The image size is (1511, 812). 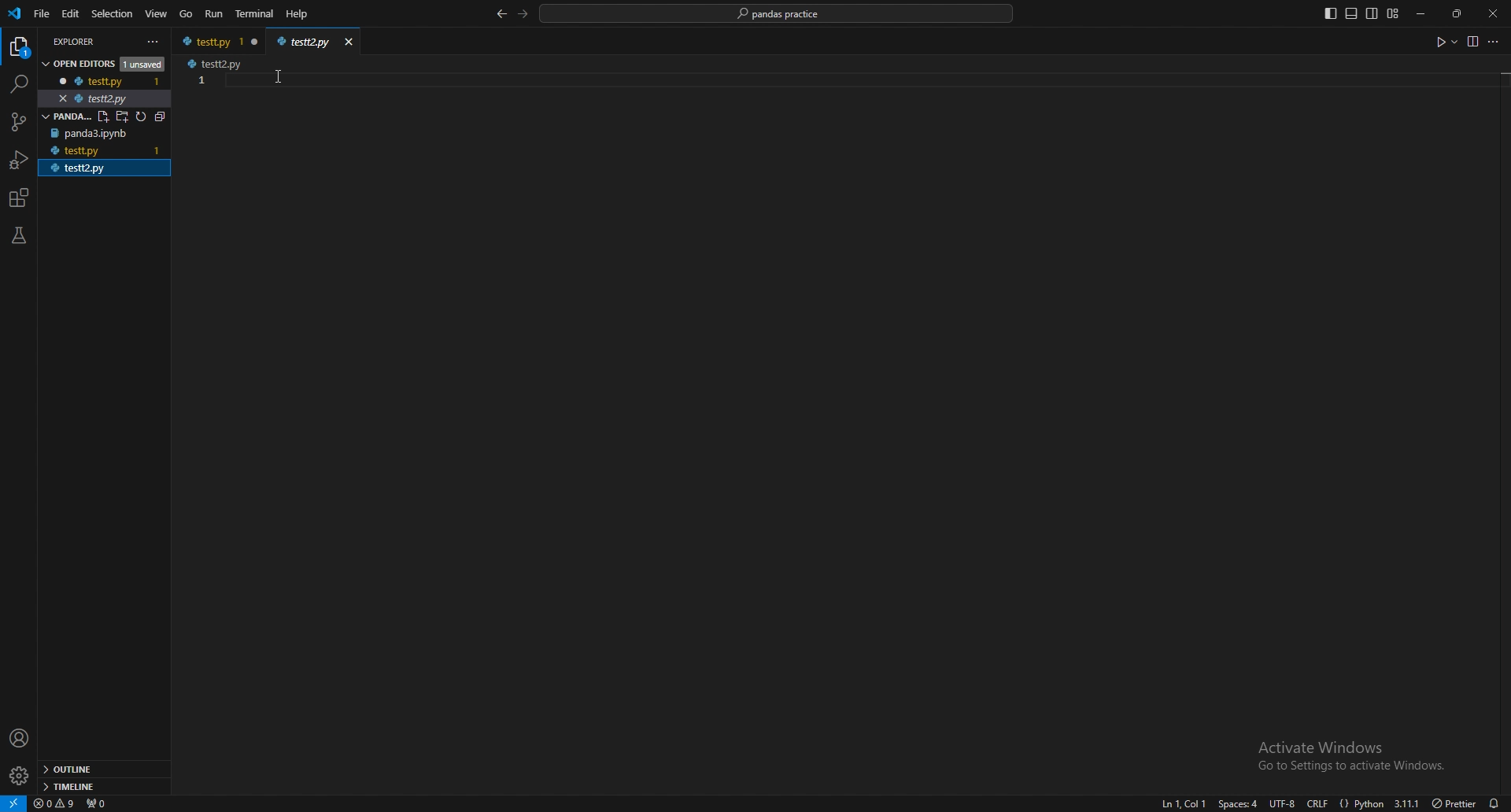 I want to click on panda3.ipynb, so click(x=97, y=134).